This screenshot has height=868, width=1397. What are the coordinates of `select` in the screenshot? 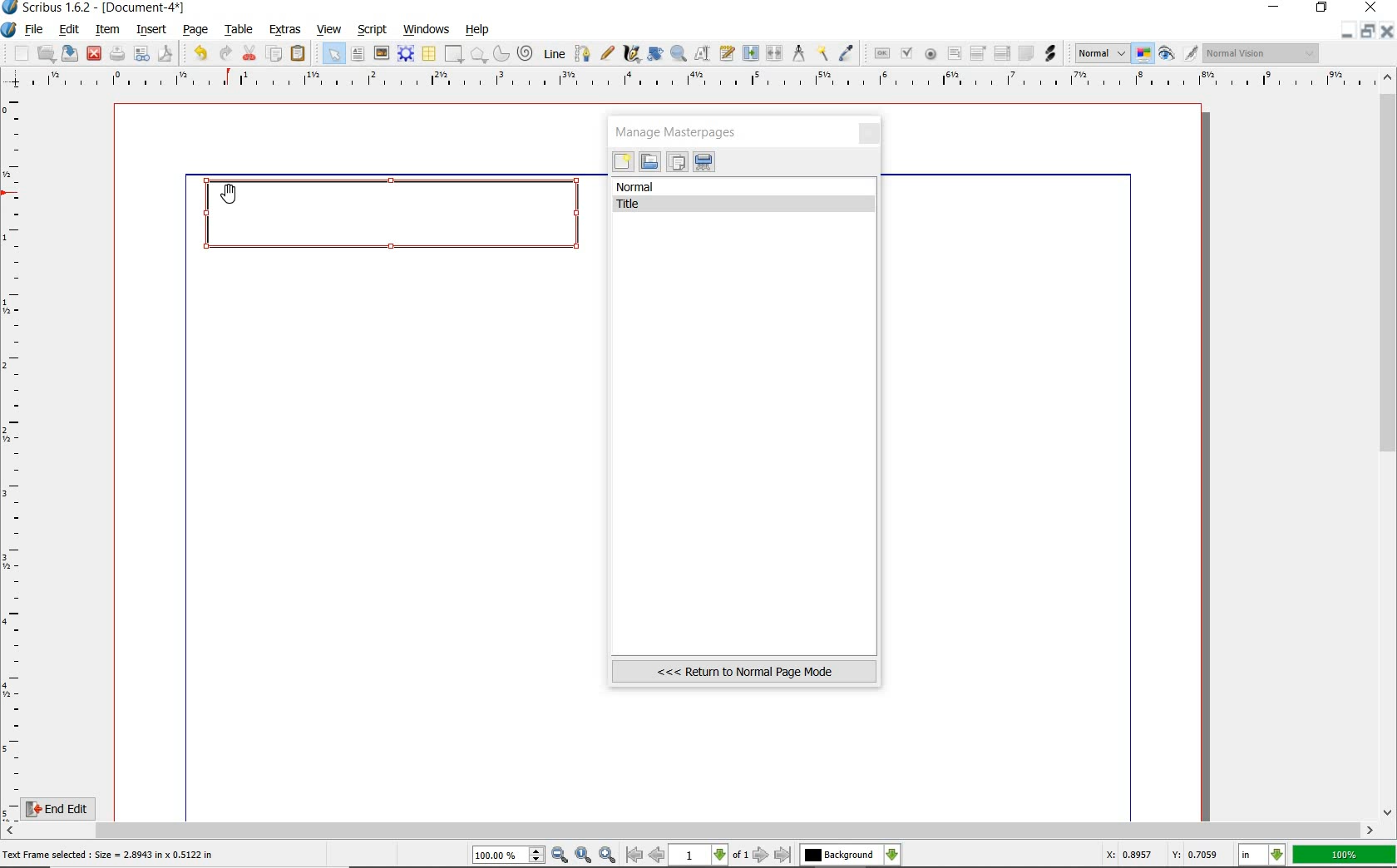 It's located at (330, 53).